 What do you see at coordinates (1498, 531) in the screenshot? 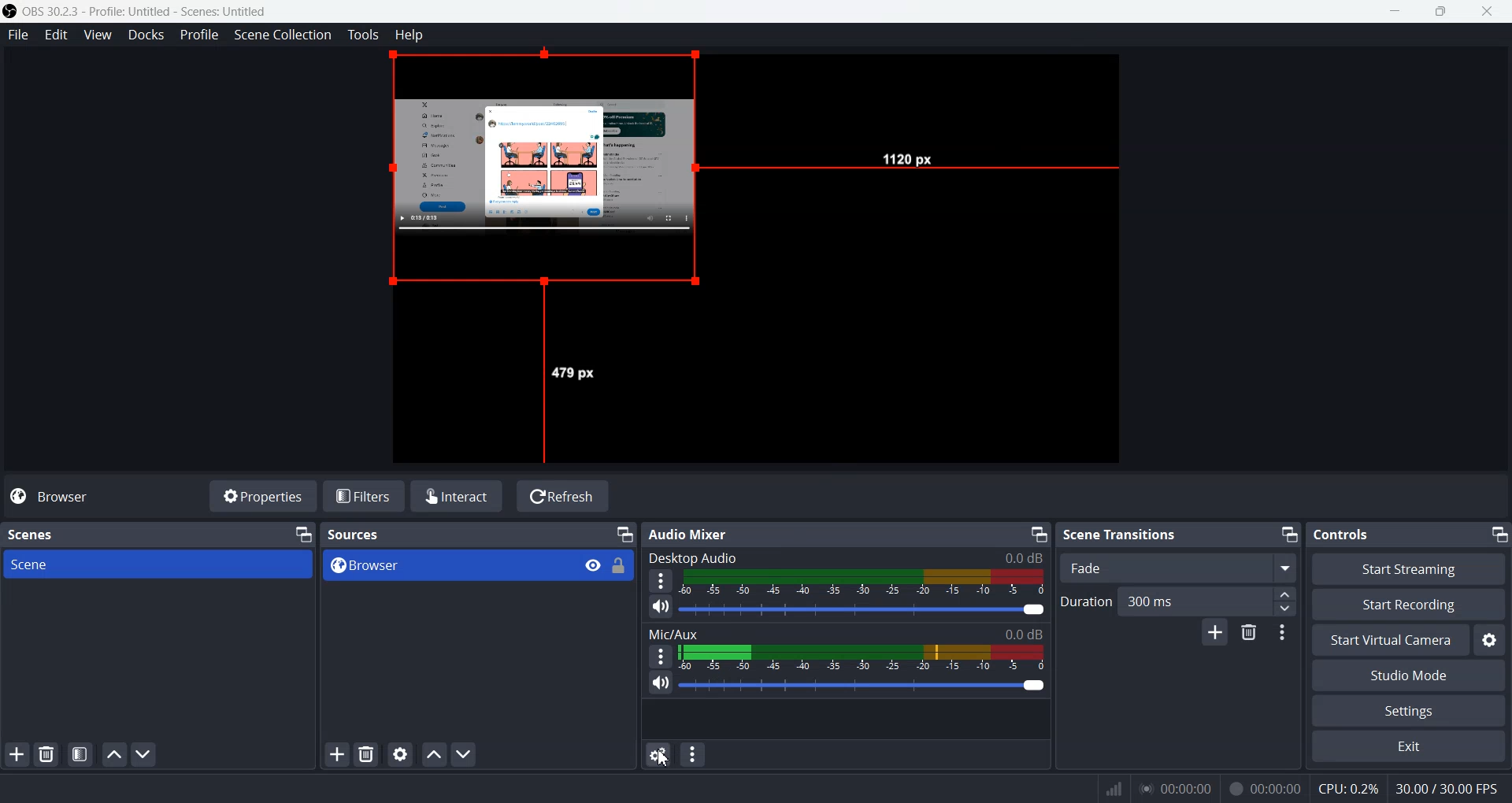
I see `Minimize` at bounding box center [1498, 531].